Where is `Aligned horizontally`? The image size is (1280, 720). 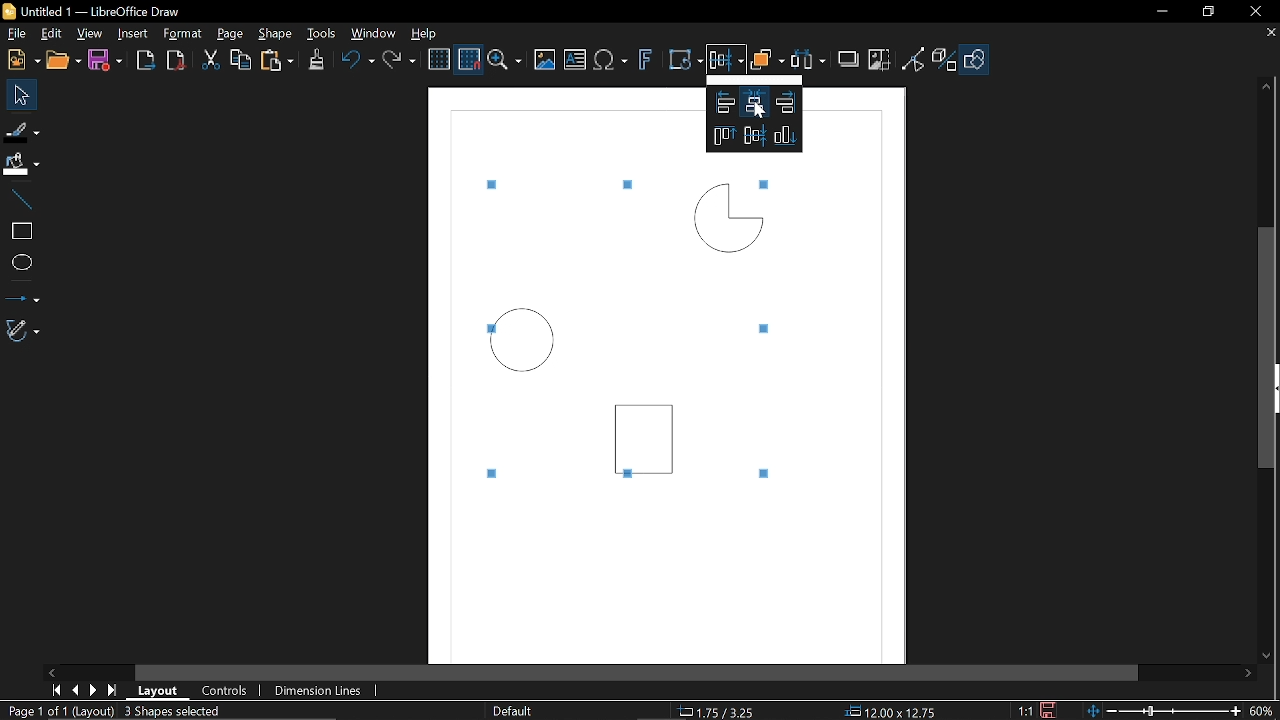 Aligned horizontally is located at coordinates (752, 135).